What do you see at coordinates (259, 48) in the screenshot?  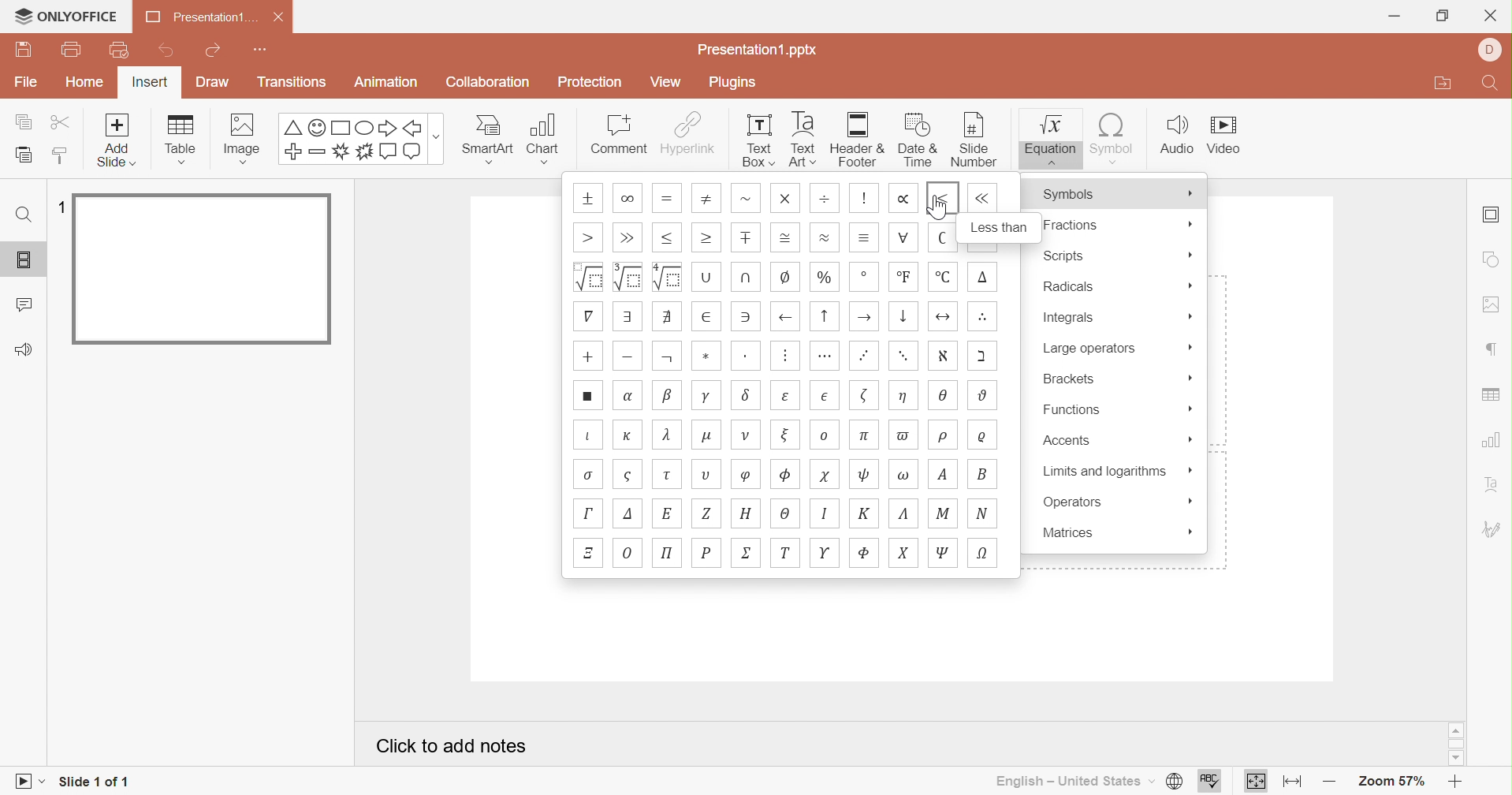 I see `Customize quick access toolbar` at bounding box center [259, 48].